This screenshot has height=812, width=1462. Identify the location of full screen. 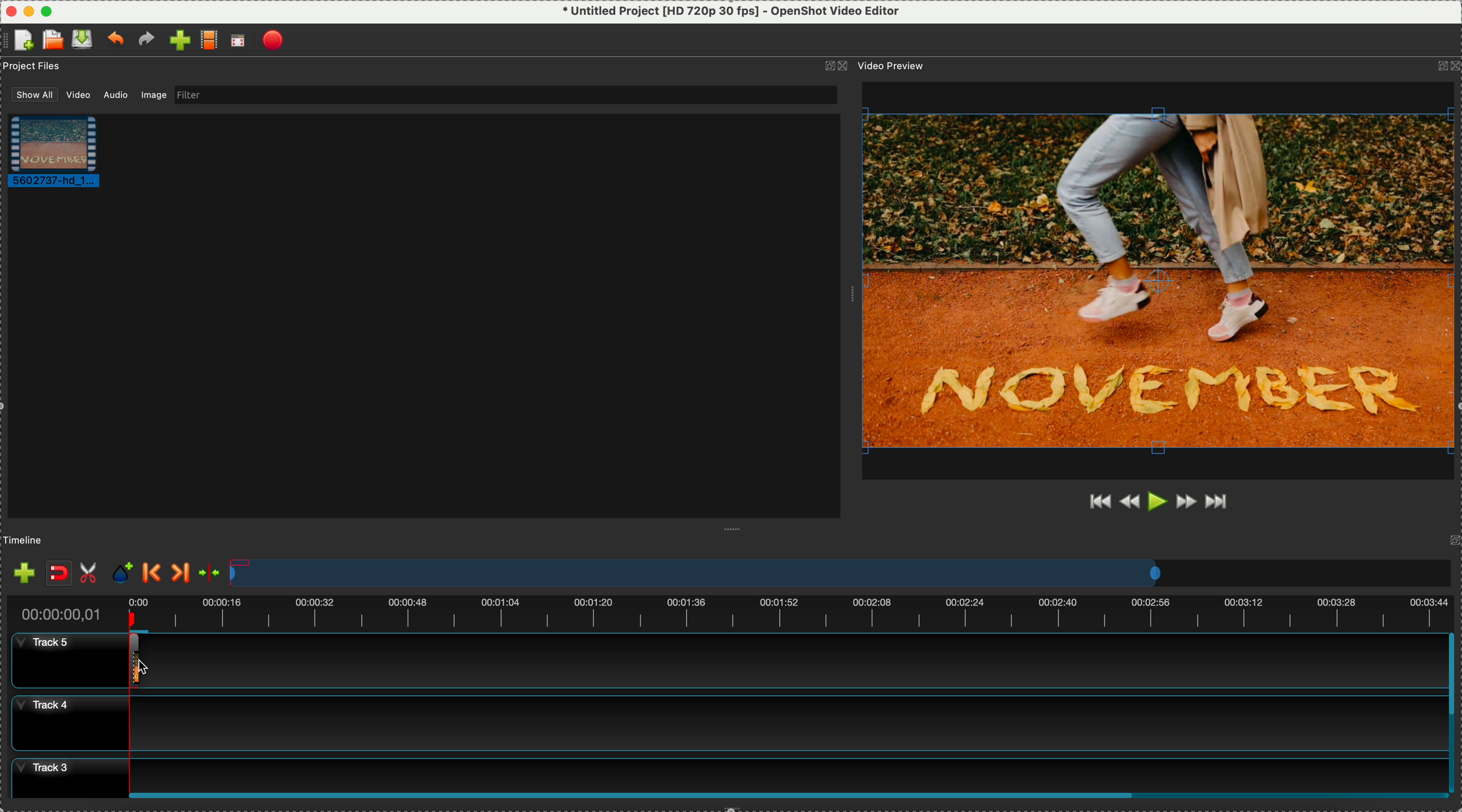
(240, 41).